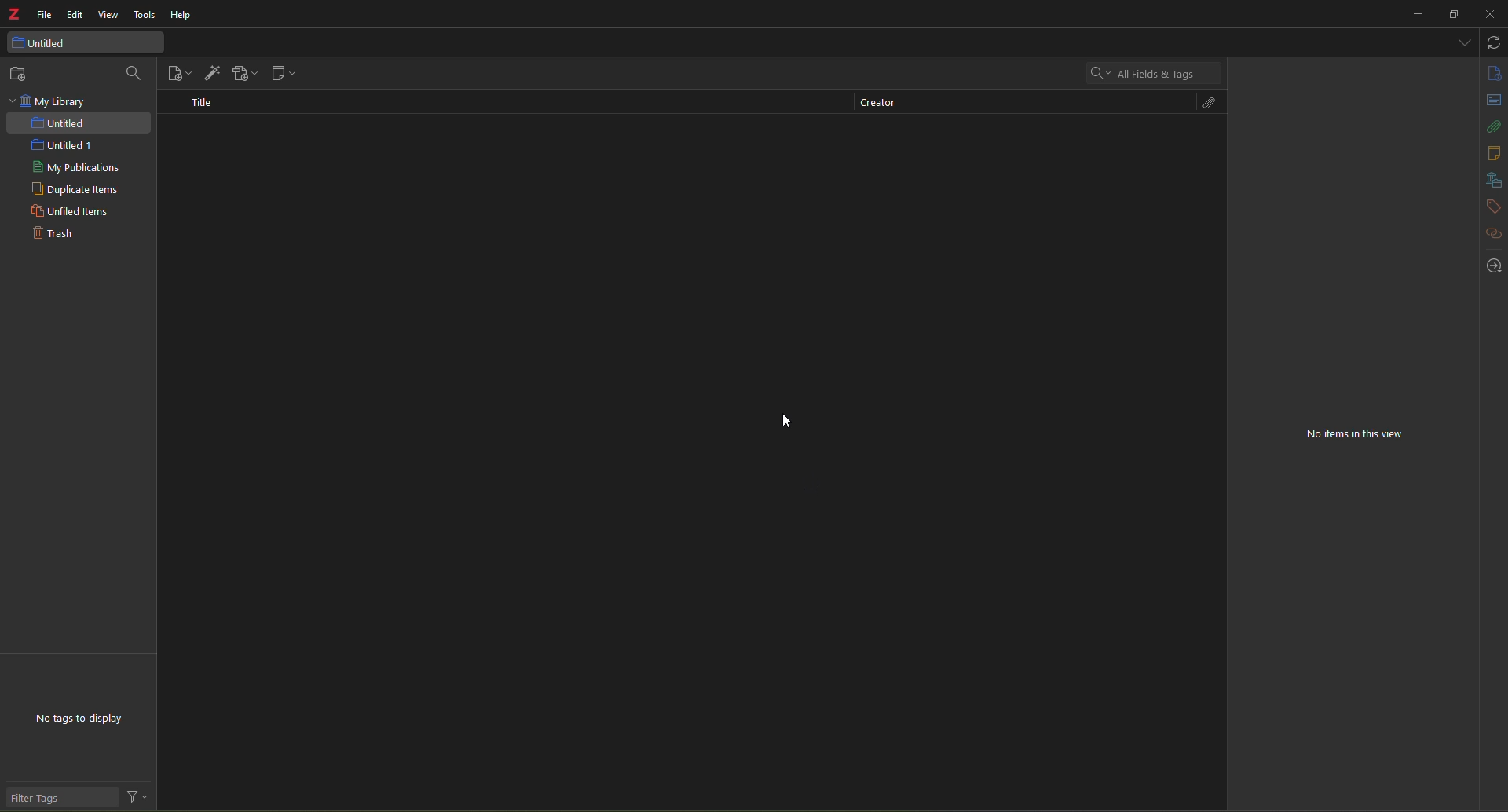  Describe the element at coordinates (1462, 102) in the screenshot. I see `expand` at that location.